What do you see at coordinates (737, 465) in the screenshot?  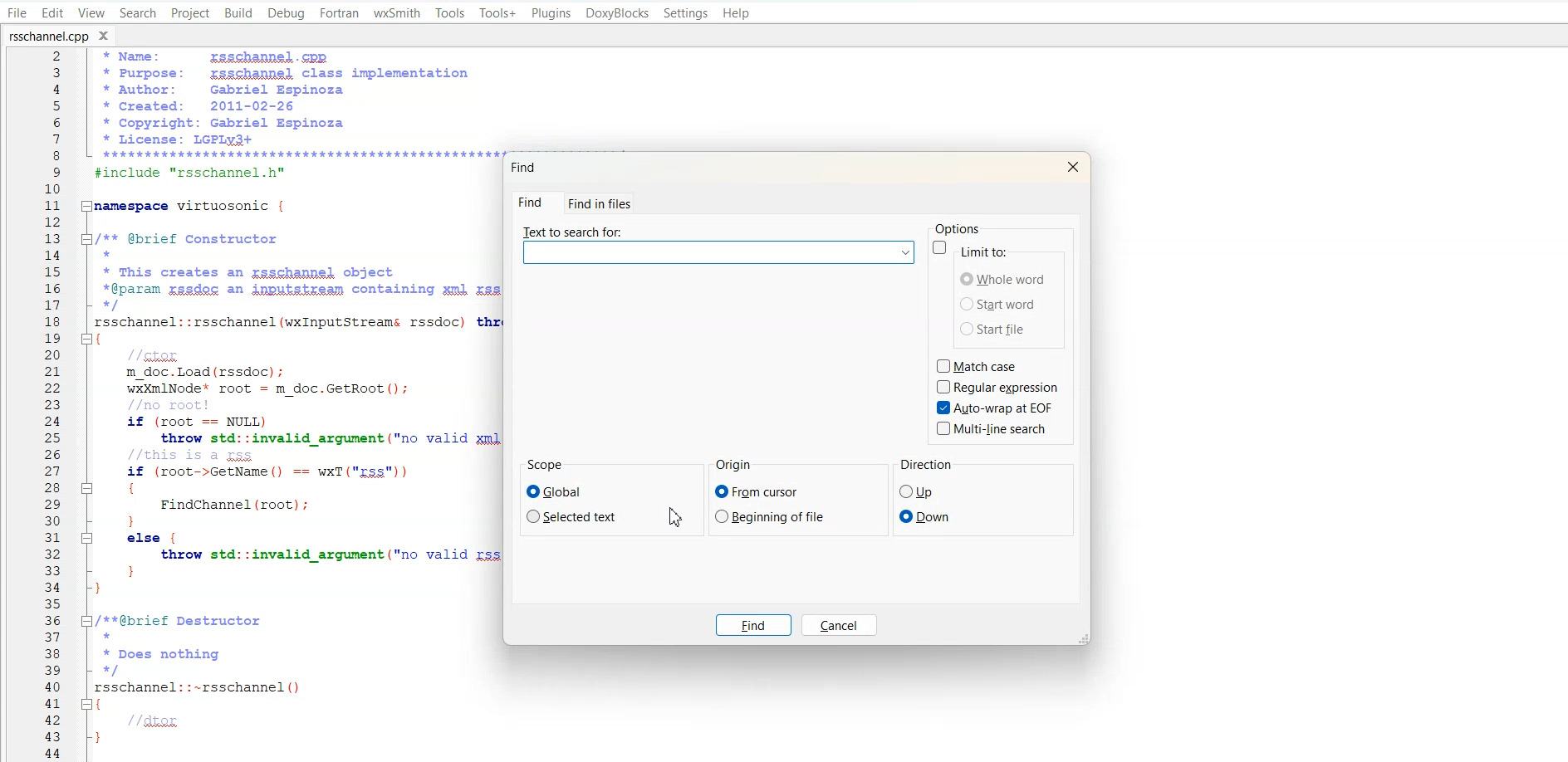 I see `Origin` at bounding box center [737, 465].